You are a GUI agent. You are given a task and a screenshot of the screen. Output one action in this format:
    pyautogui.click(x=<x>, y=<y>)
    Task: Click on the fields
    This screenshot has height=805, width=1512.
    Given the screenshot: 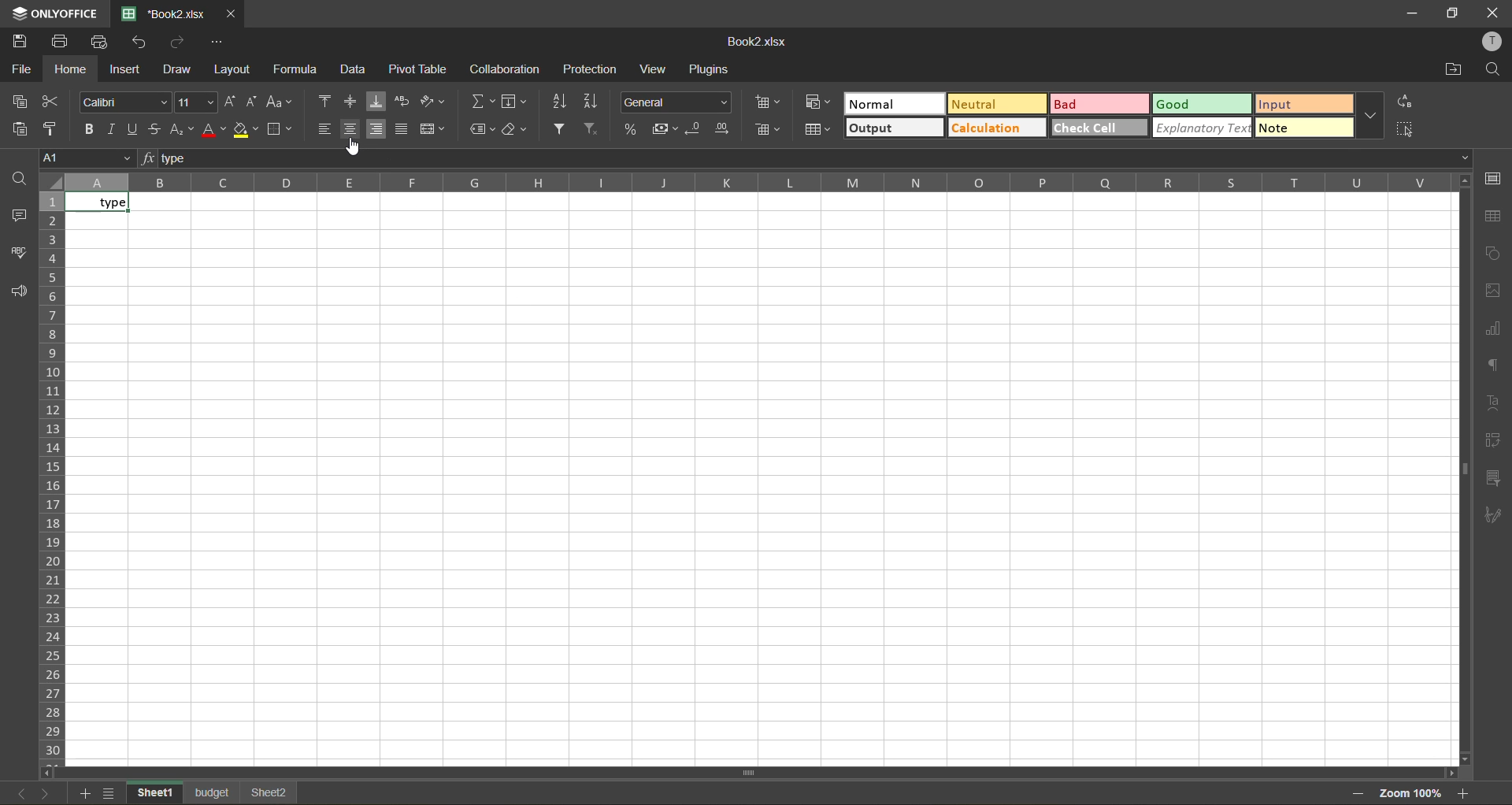 What is the action you would take?
    pyautogui.click(x=516, y=101)
    